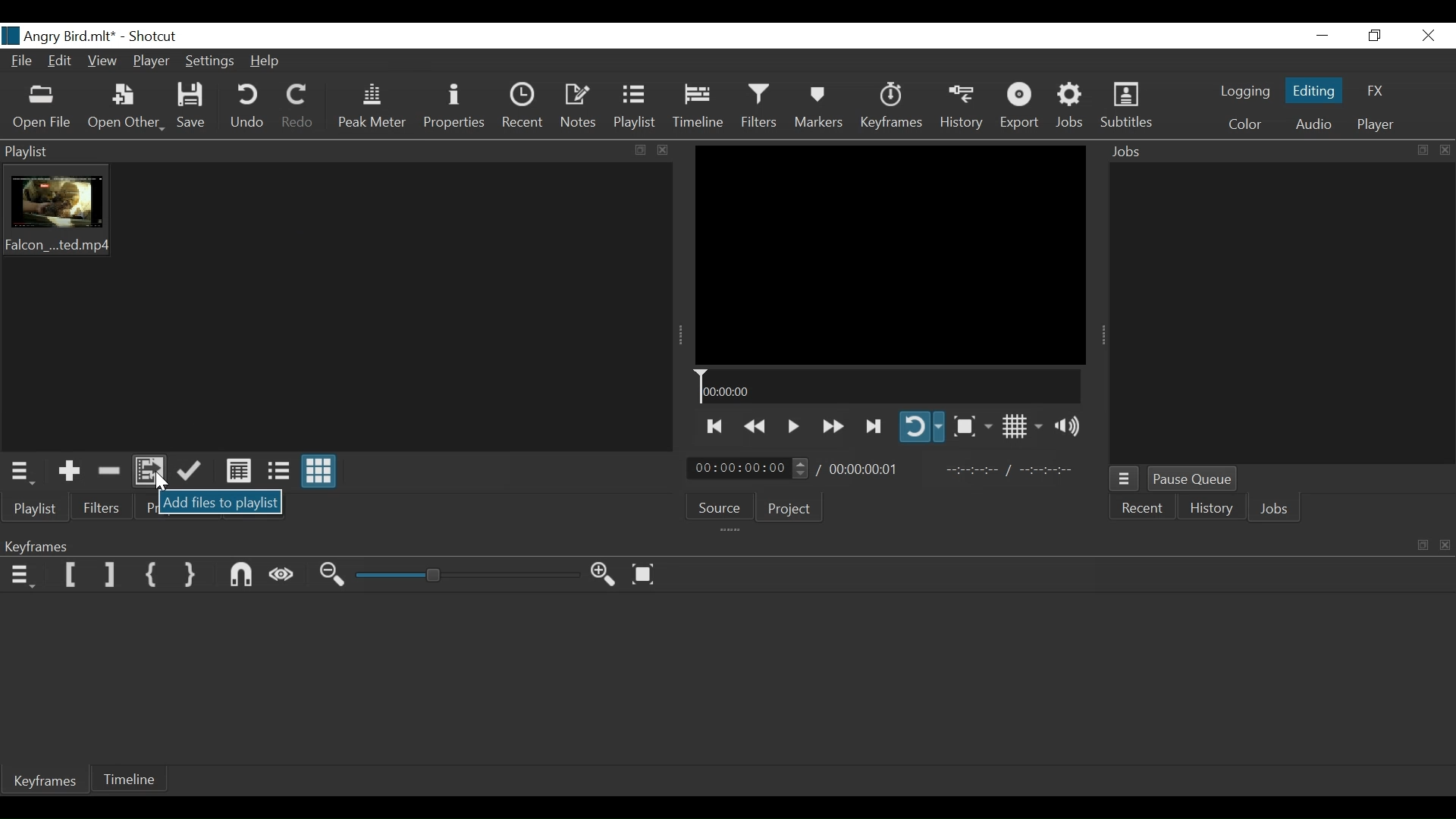  I want to click on Export, so click(1025, 107).